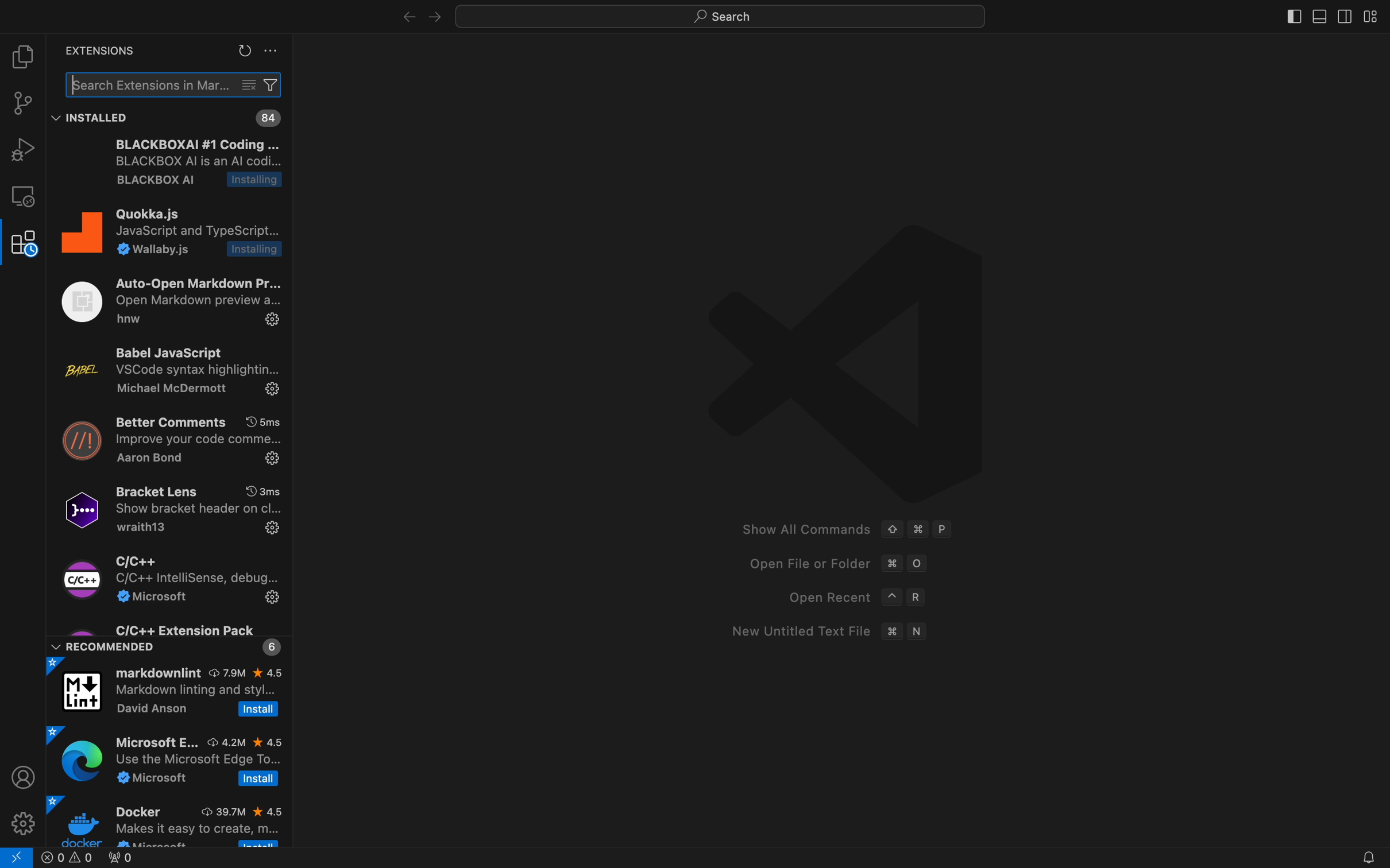  What do you see at coordinates (167, 691) in the screenshot?
I see `markdownlint © 7.9M * 45
Markdown linting and styl...
David Anson [Install` at bounding box center [167, 691].